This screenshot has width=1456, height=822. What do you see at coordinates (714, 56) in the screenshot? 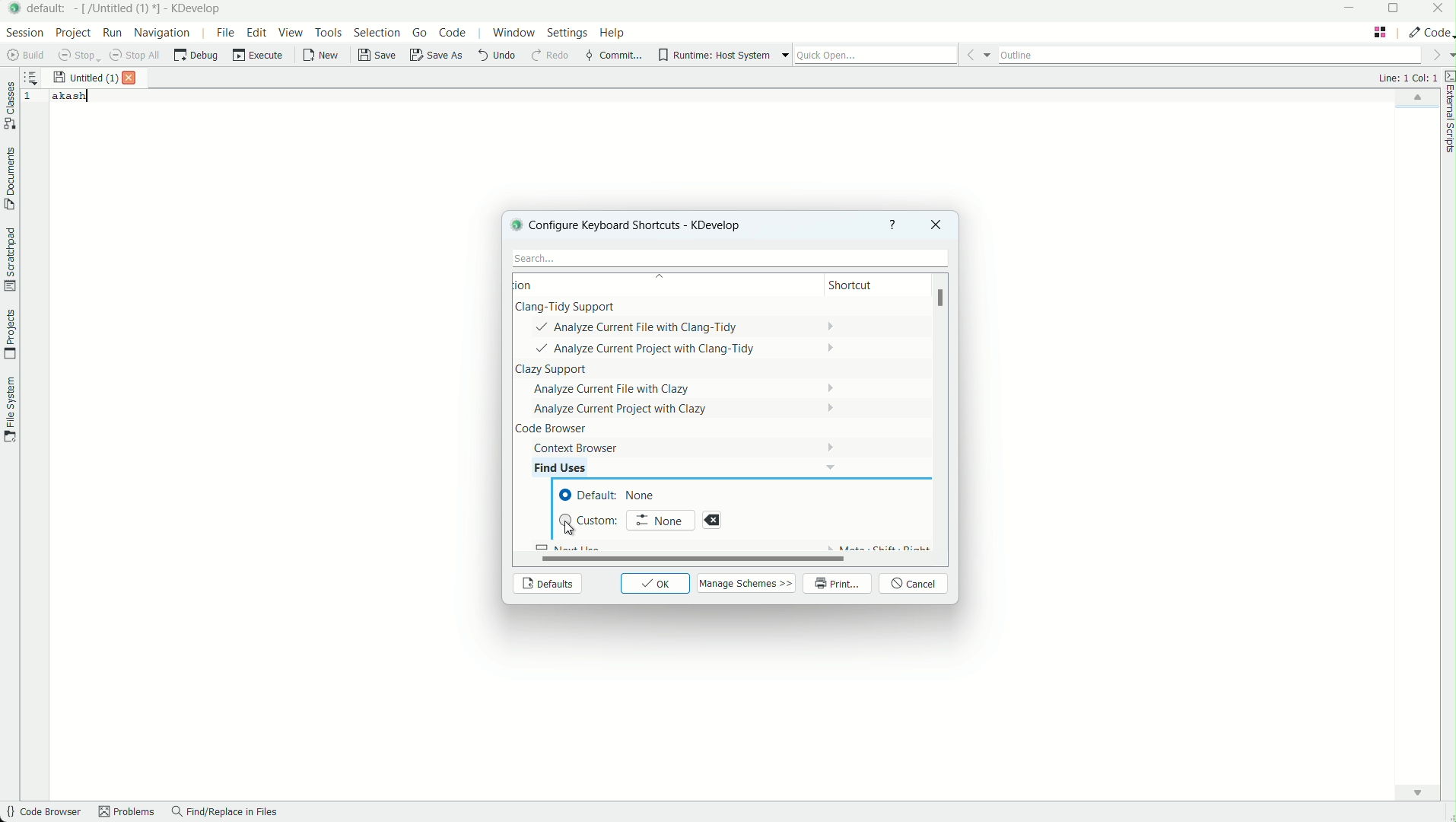
I see `runtime host system` at bounding box center [714, 56].